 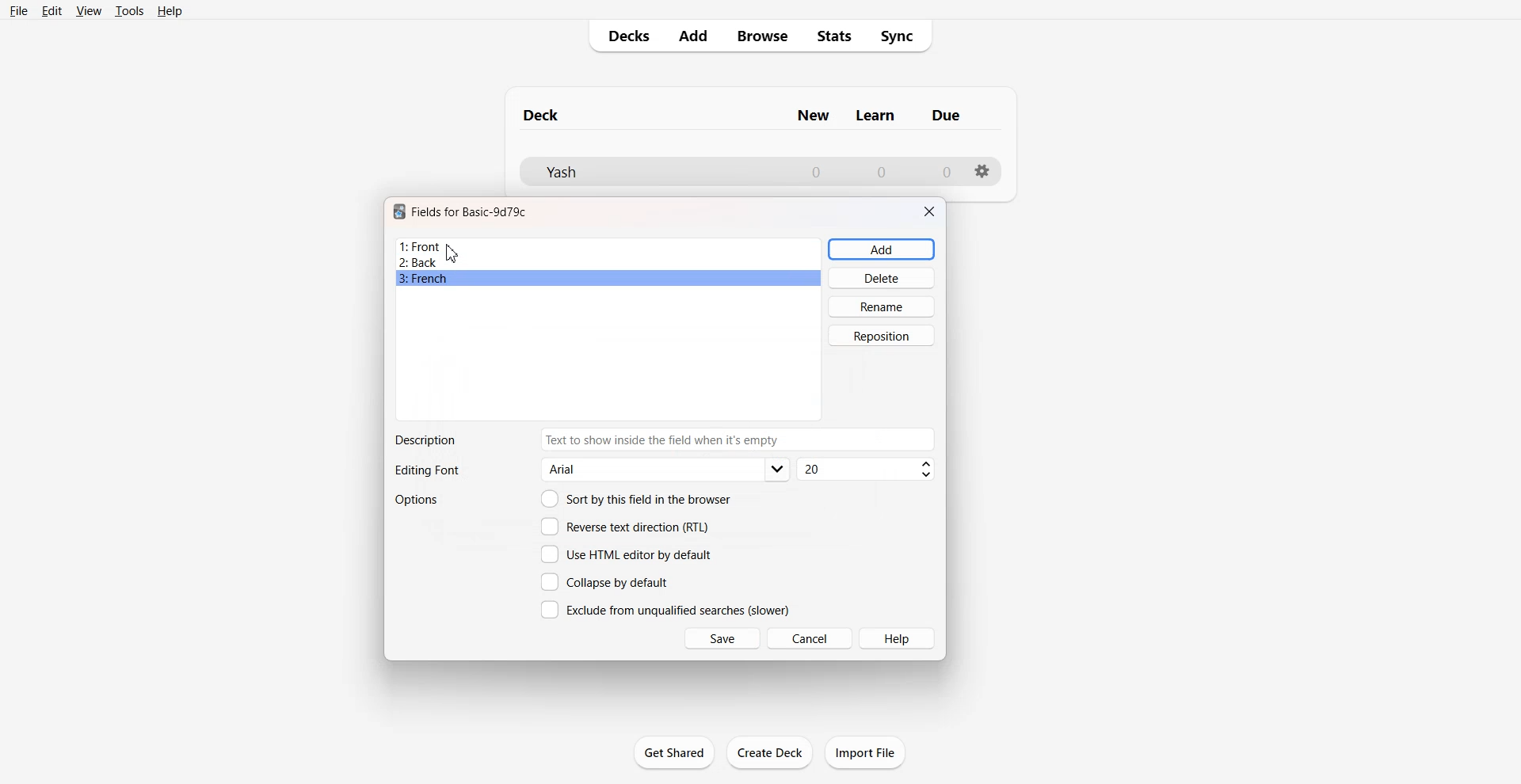 What do you see at coordinates (722, 638) in the screenshot?
I see `Save` at bounding box center [722, 638].